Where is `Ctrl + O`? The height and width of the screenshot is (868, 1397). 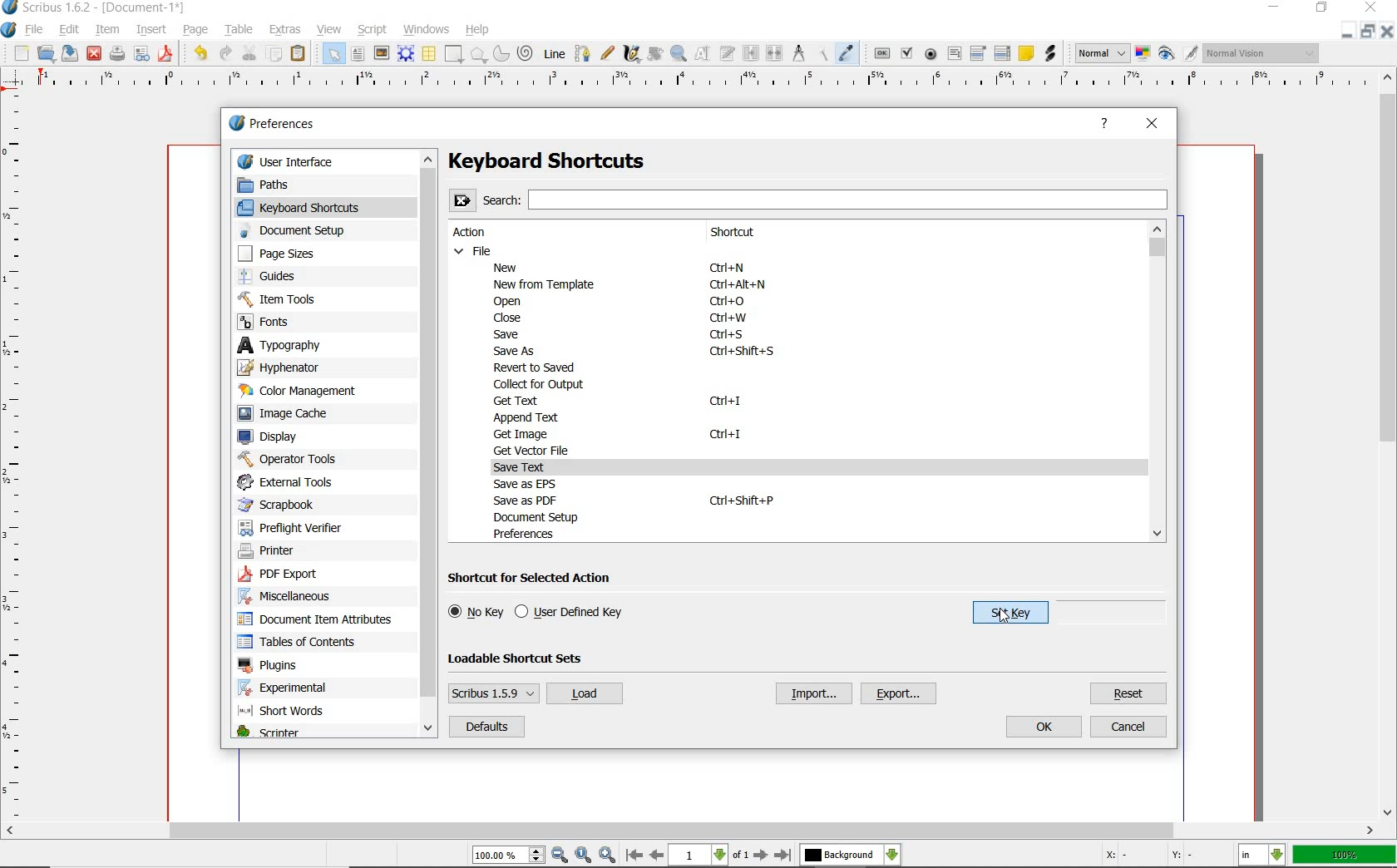 Ctrl + O is located at coordinates (729, 302).